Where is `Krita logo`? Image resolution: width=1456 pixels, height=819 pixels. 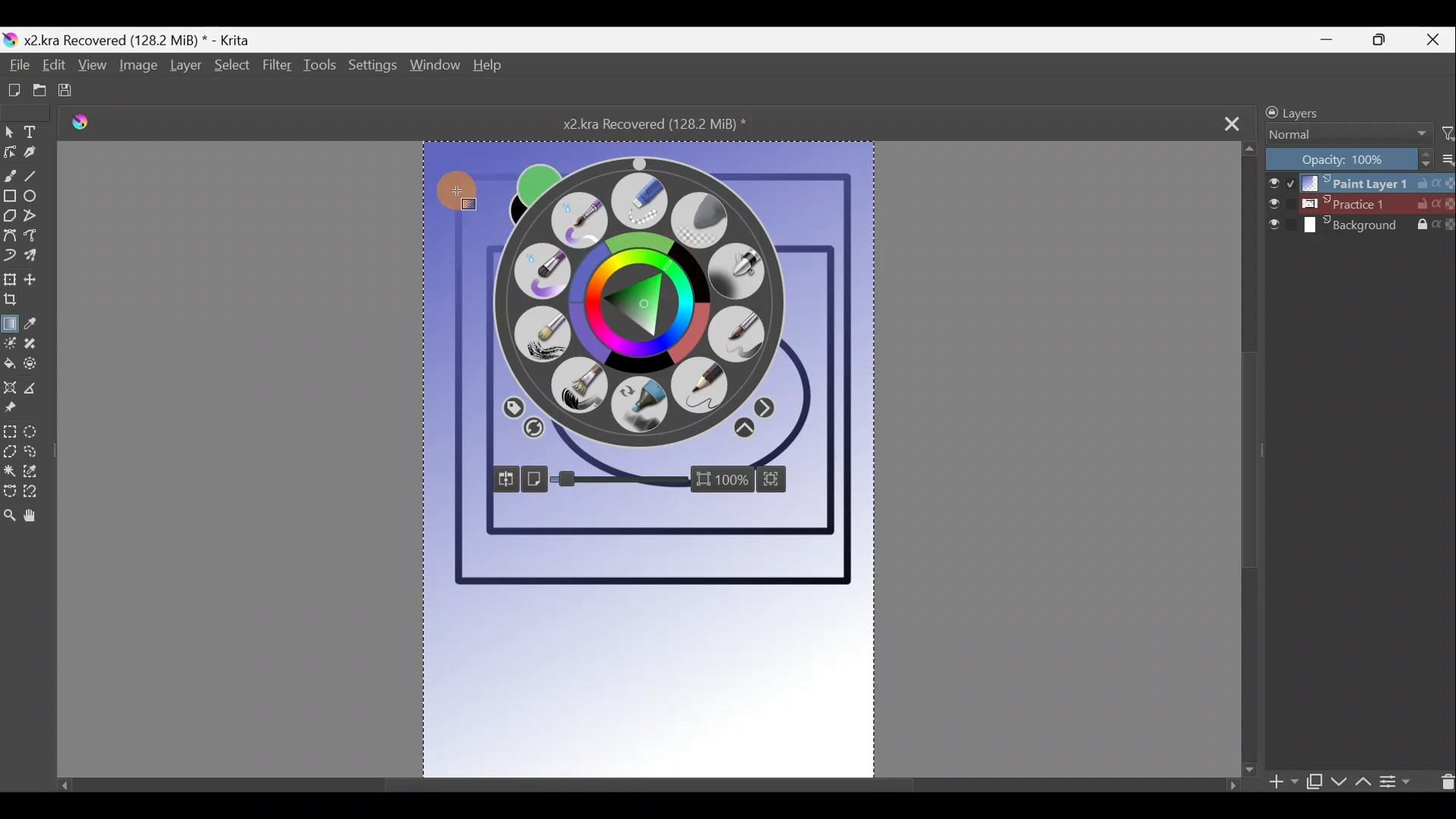
Krita logo is located at coordinates (90, 125).